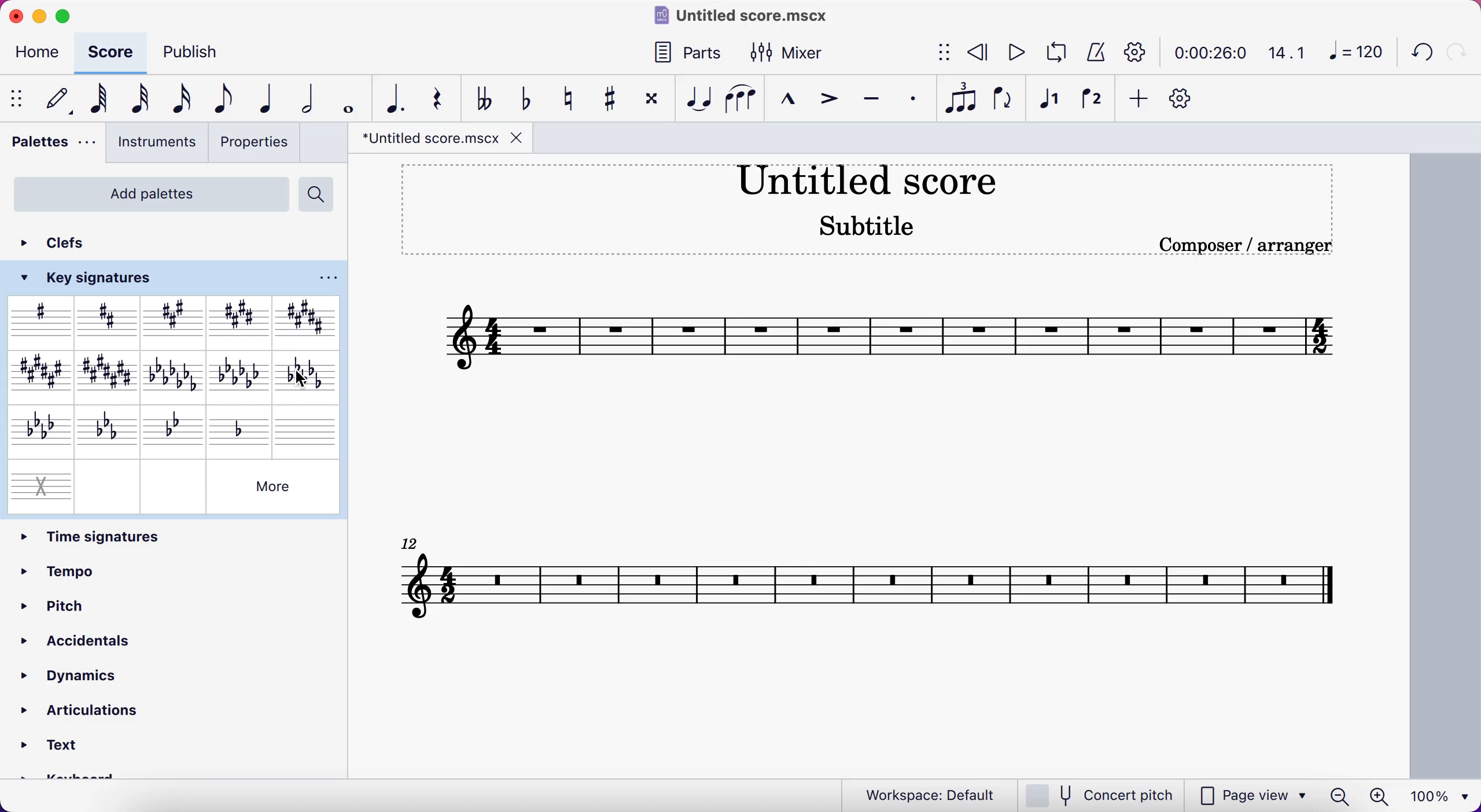 The height and width of the screenshot is (812, 1481). I want to click on pitch, so click(116, 604).